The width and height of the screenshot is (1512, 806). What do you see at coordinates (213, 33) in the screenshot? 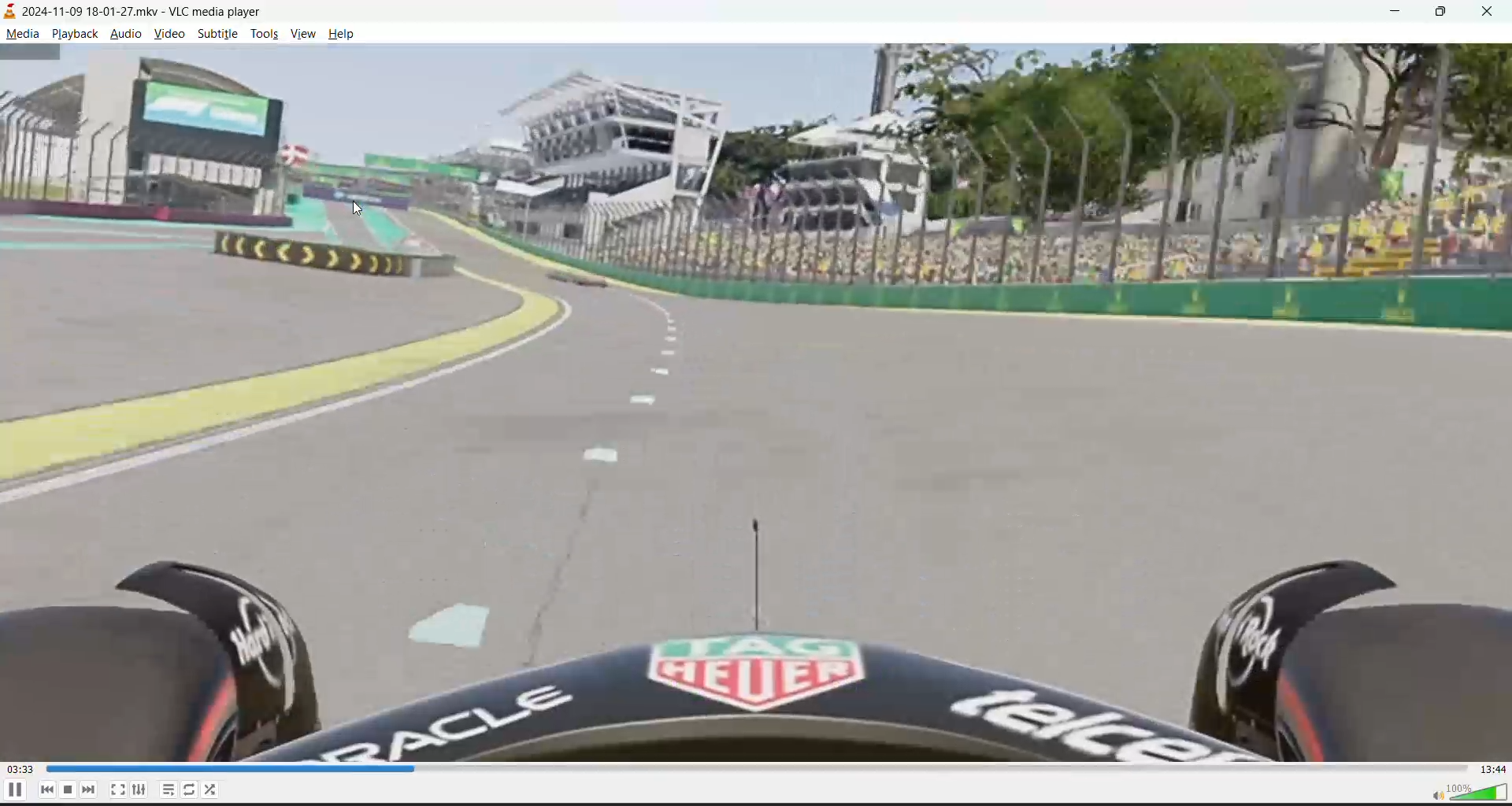
I see `subtitle` at bounding box center [213, 33].